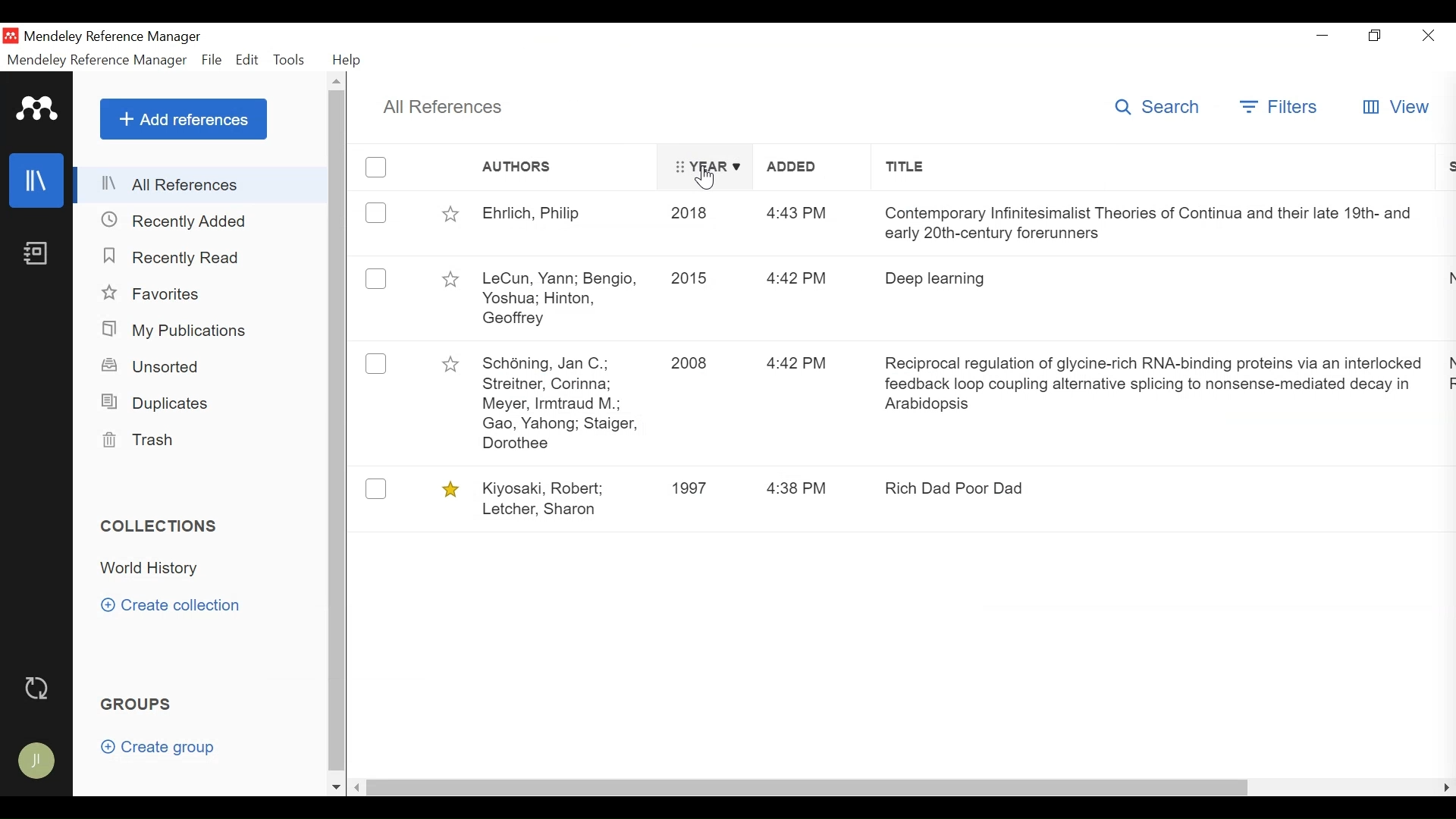 The height and width of the screenshot is (819, 1456). Describe the element at coordinates (801, 281) in the screenshot. I see `4:42 PM` at that location.